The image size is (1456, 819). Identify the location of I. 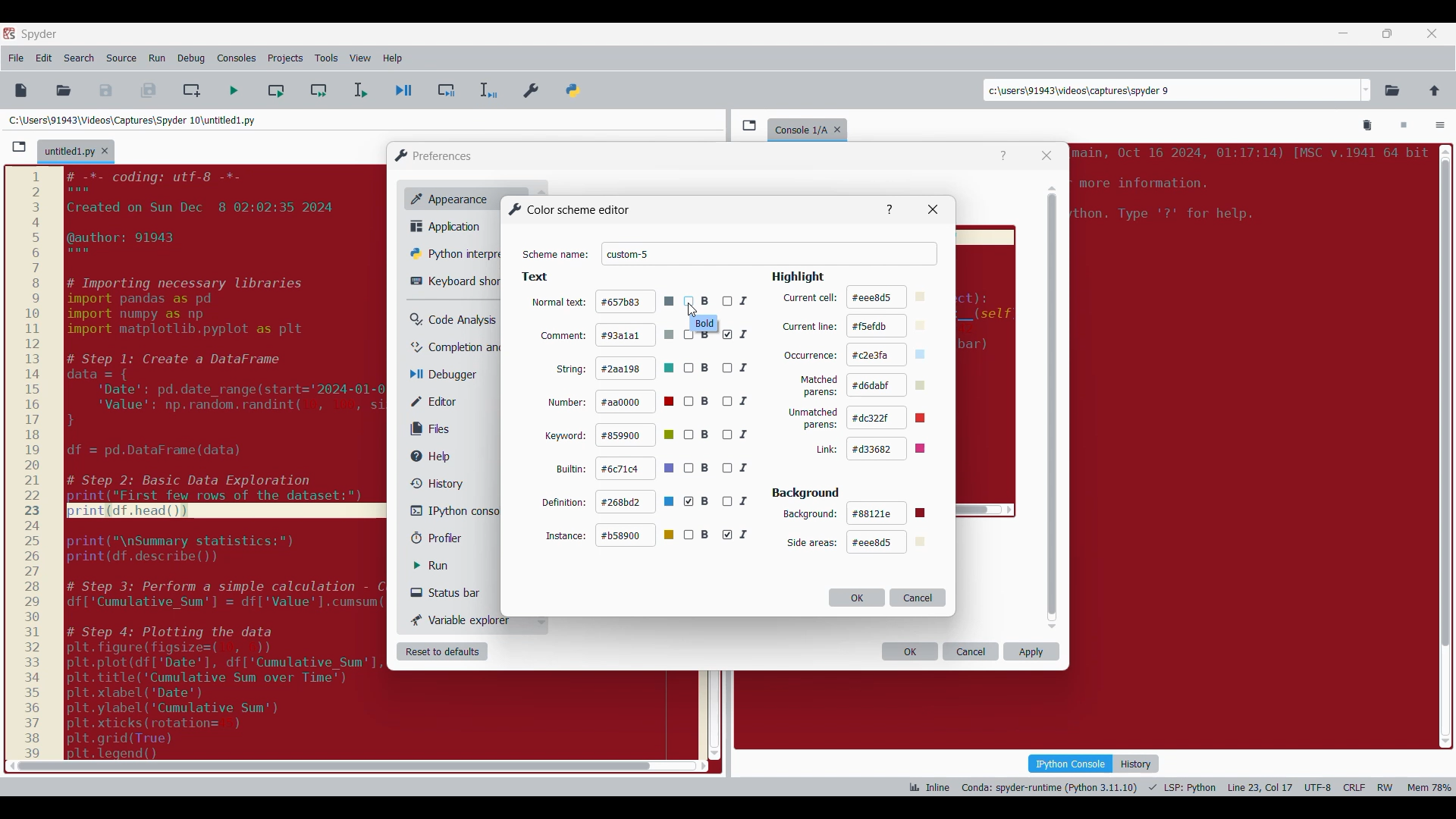
(739, 469).